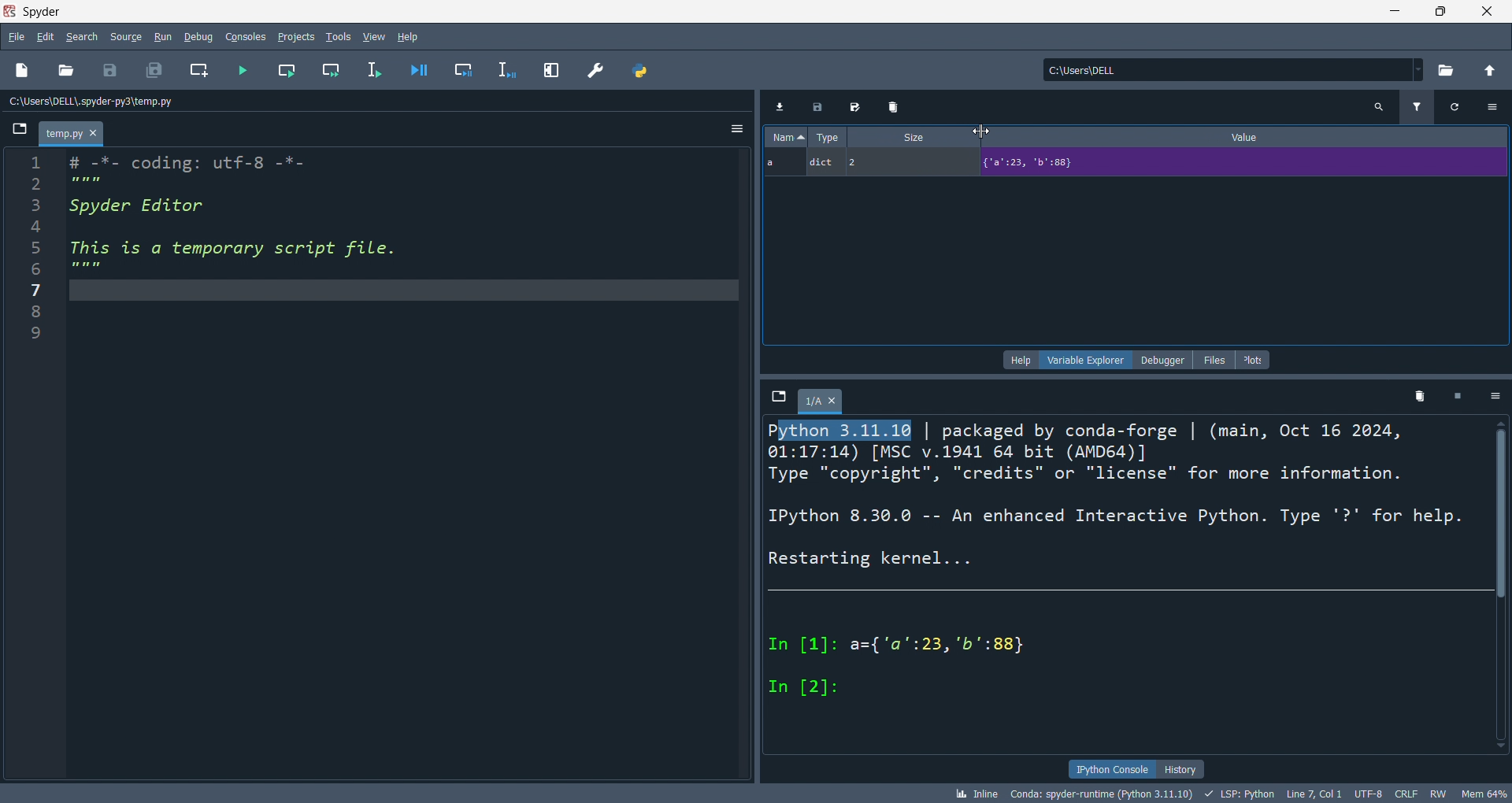 This screenshot has height=803, width=1512. I want to click on debug cell, so click(466, 68).